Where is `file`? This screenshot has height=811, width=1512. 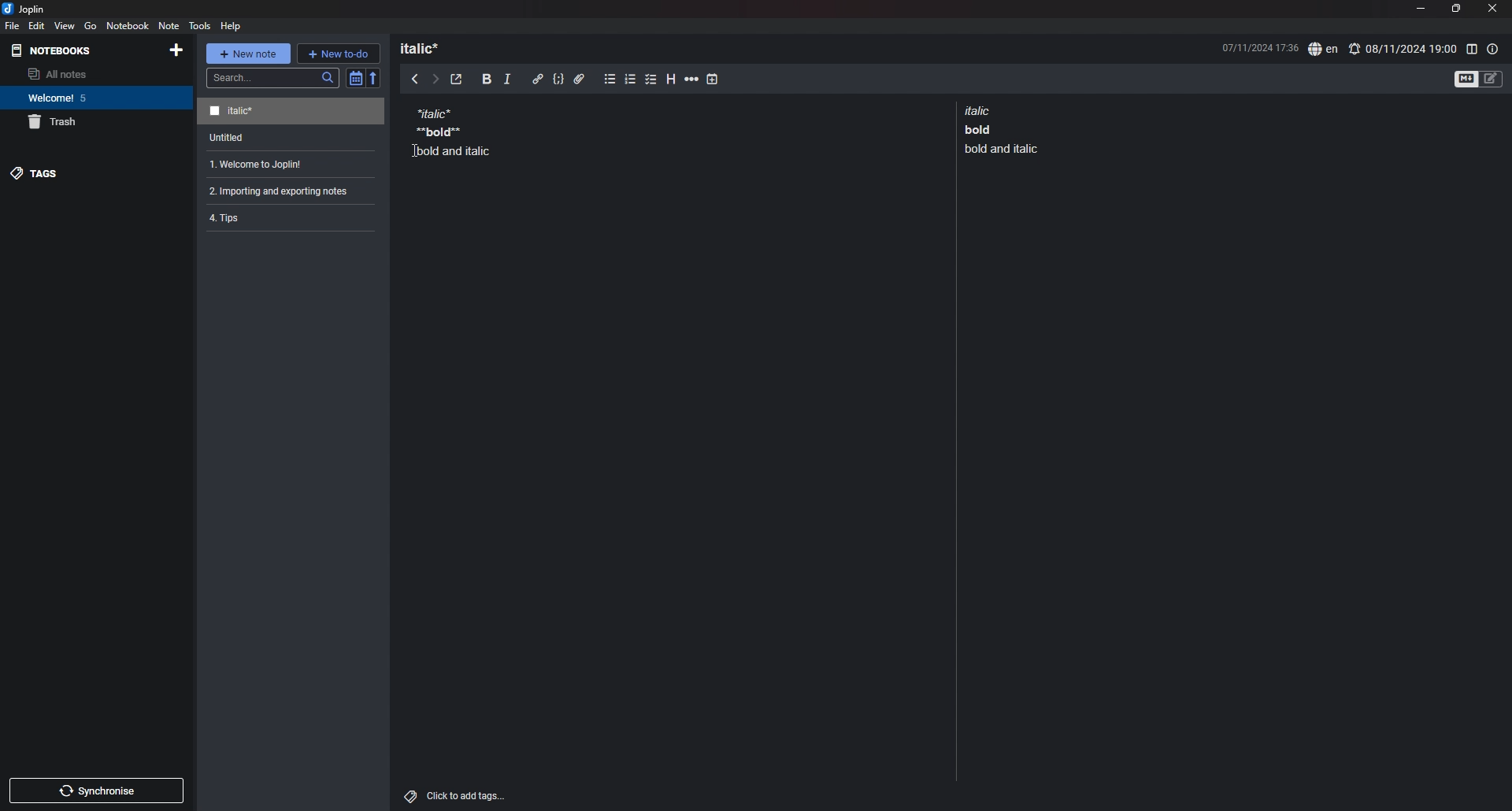 file is located at coordinates (13, 25).